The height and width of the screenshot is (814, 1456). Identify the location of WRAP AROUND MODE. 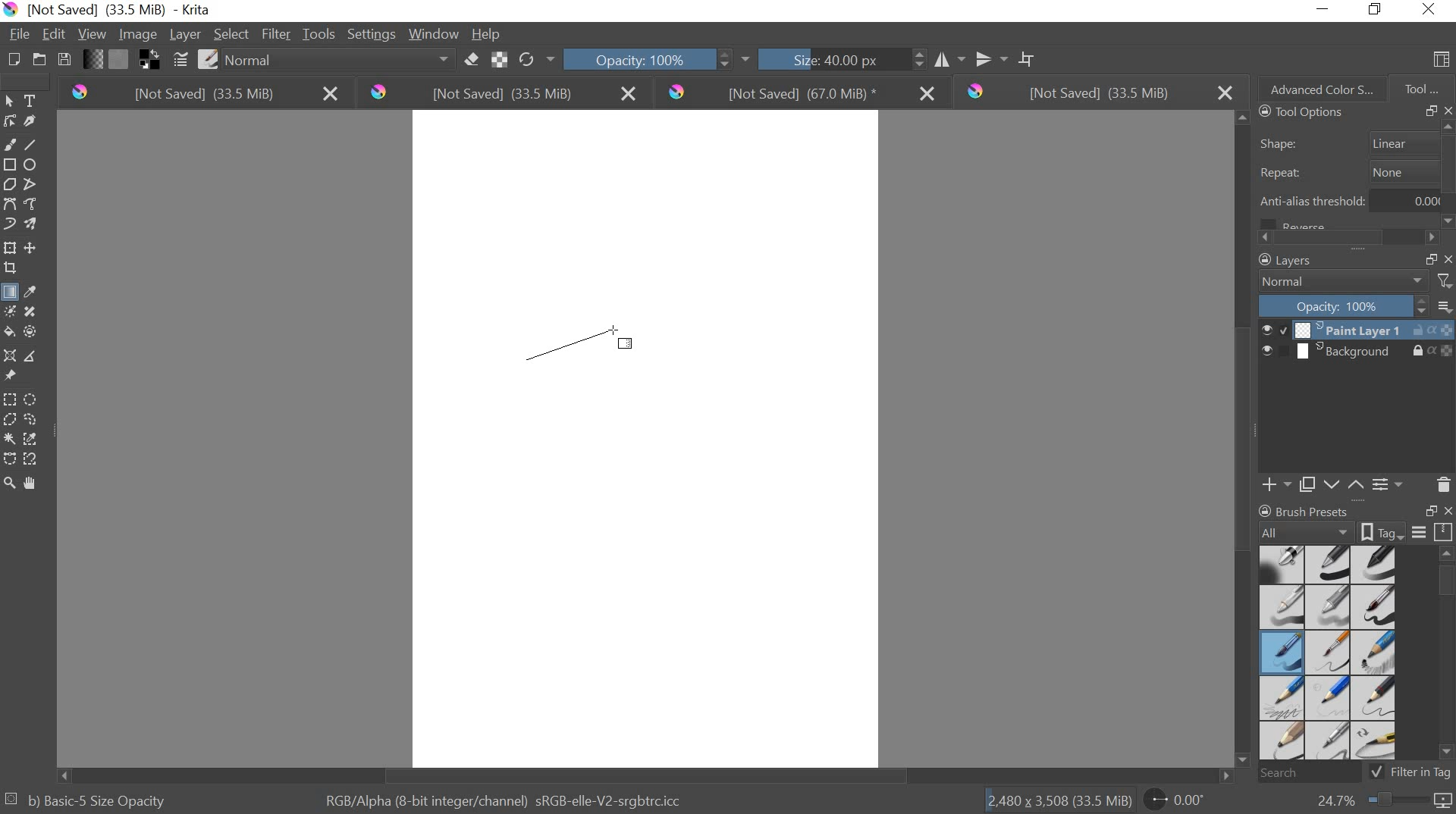
(1032, 56).